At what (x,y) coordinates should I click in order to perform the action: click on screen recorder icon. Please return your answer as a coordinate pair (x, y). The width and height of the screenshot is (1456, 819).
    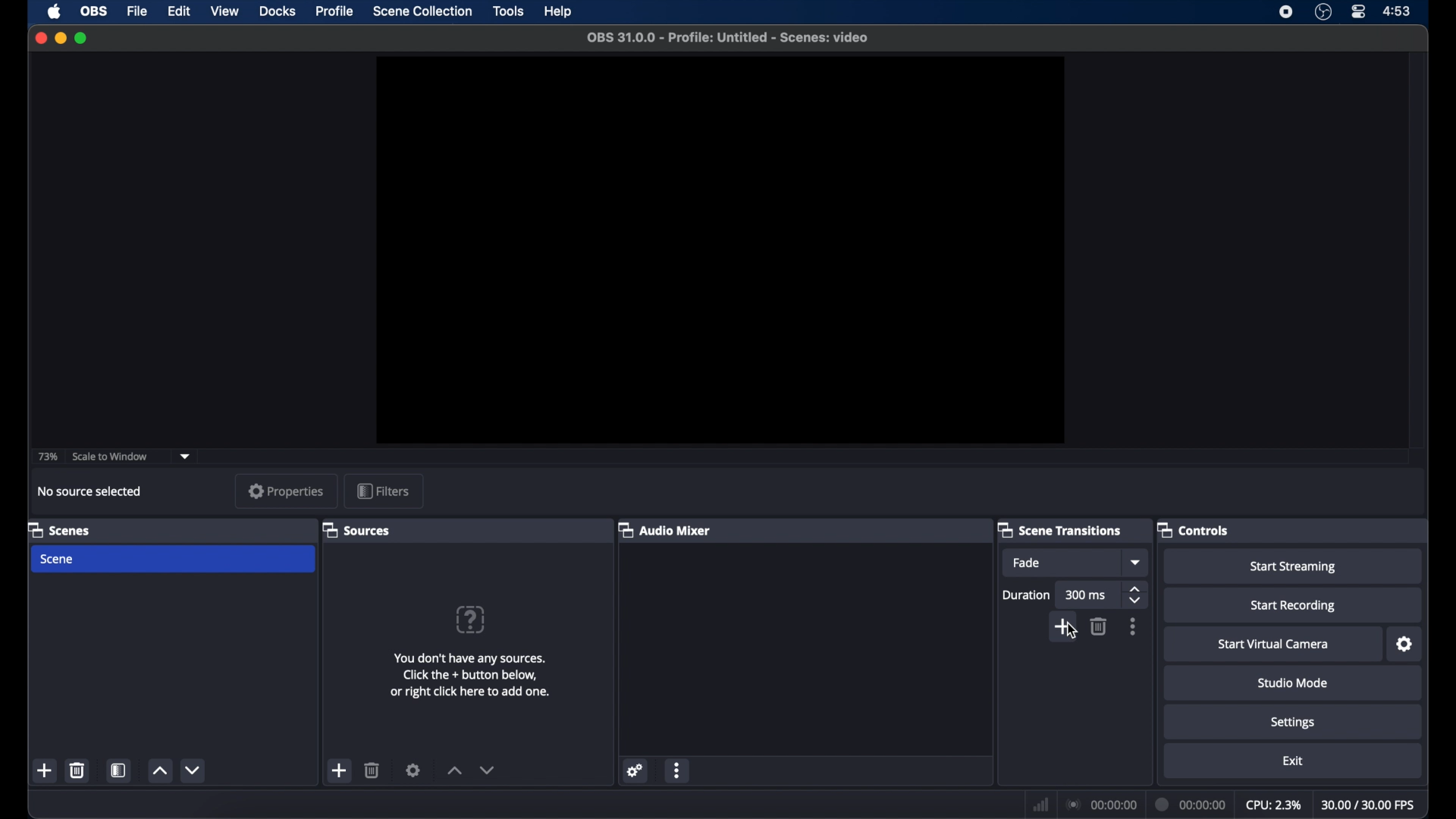
    Looking at the image, I should click on (1287, 12).